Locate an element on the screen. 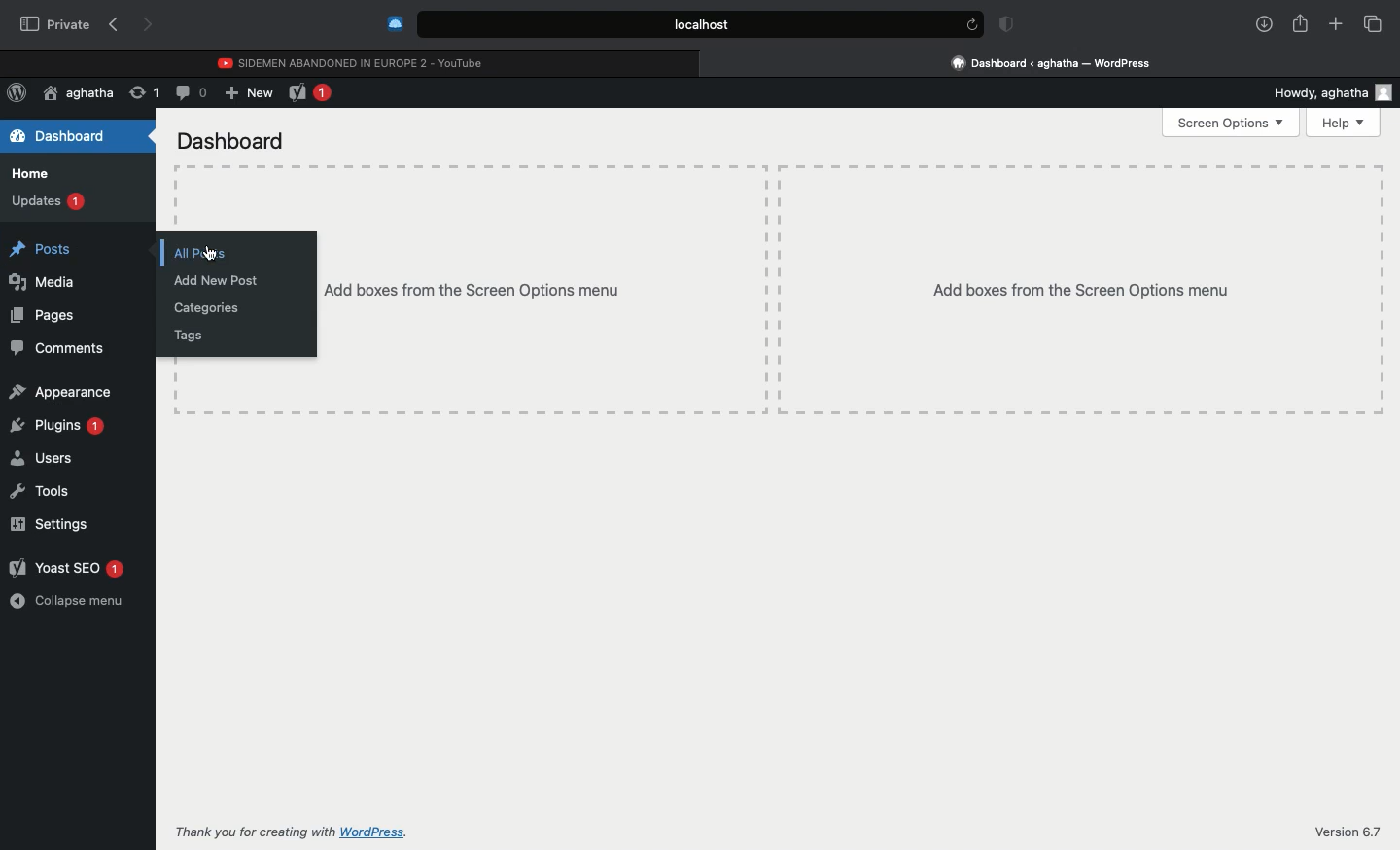 Image resolution: width=1400 pixels, height=850 pixels. close is located at coordinates (709, 62).